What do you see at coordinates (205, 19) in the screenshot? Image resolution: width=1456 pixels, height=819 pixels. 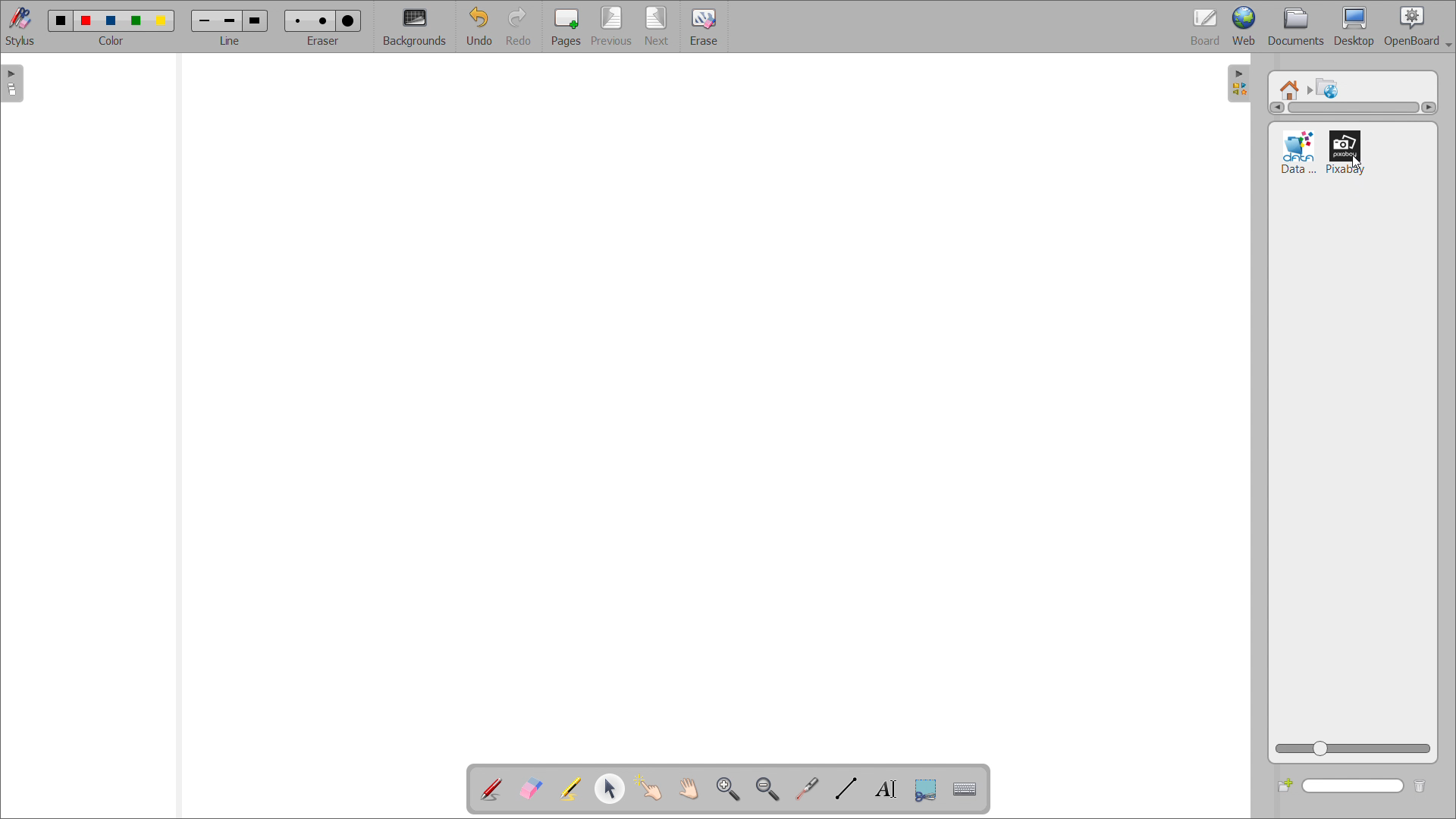 I see `Small line` at bounding box center [205, 19].